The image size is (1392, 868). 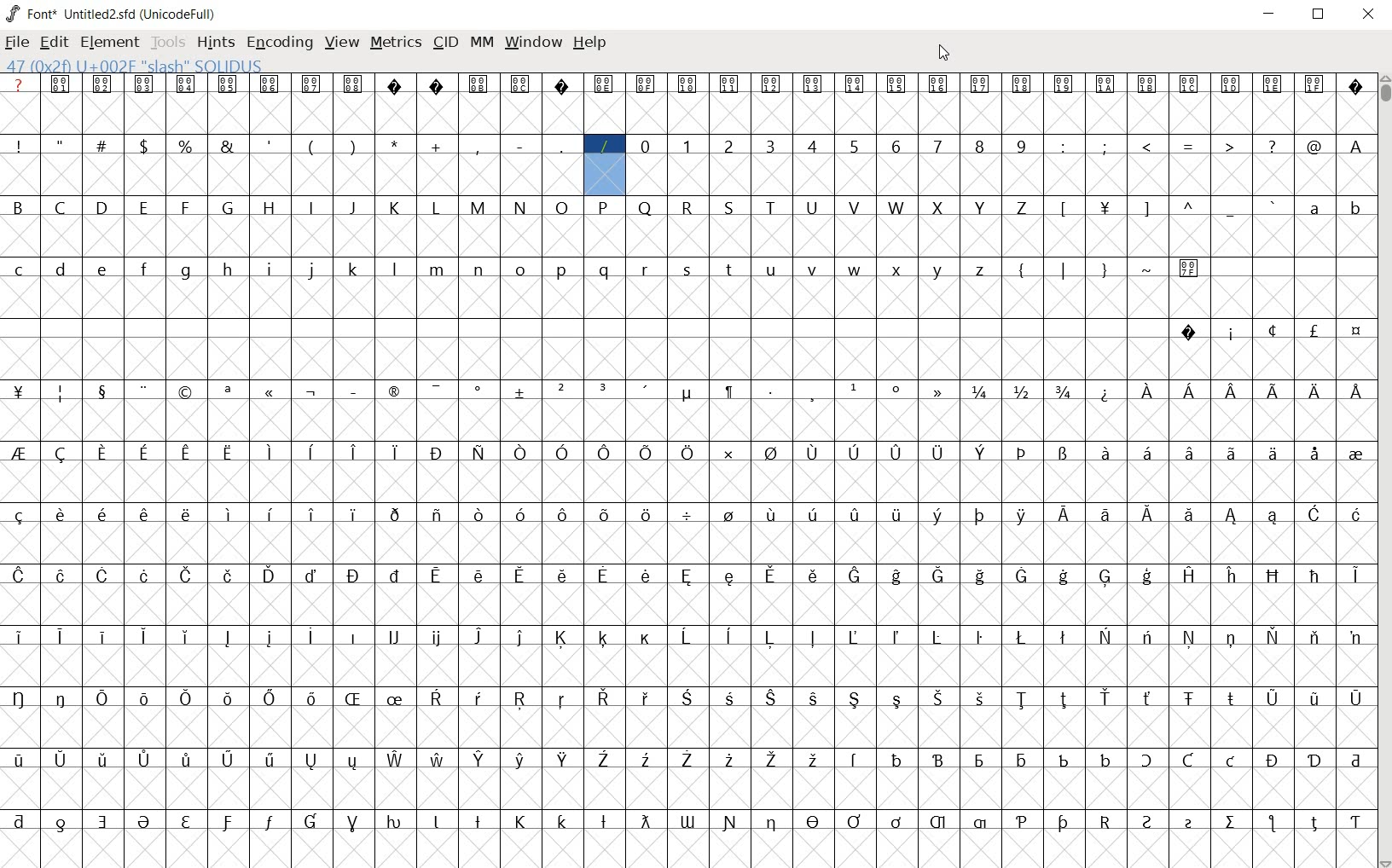 I want to click on glyph, so click(x=520, y=147).